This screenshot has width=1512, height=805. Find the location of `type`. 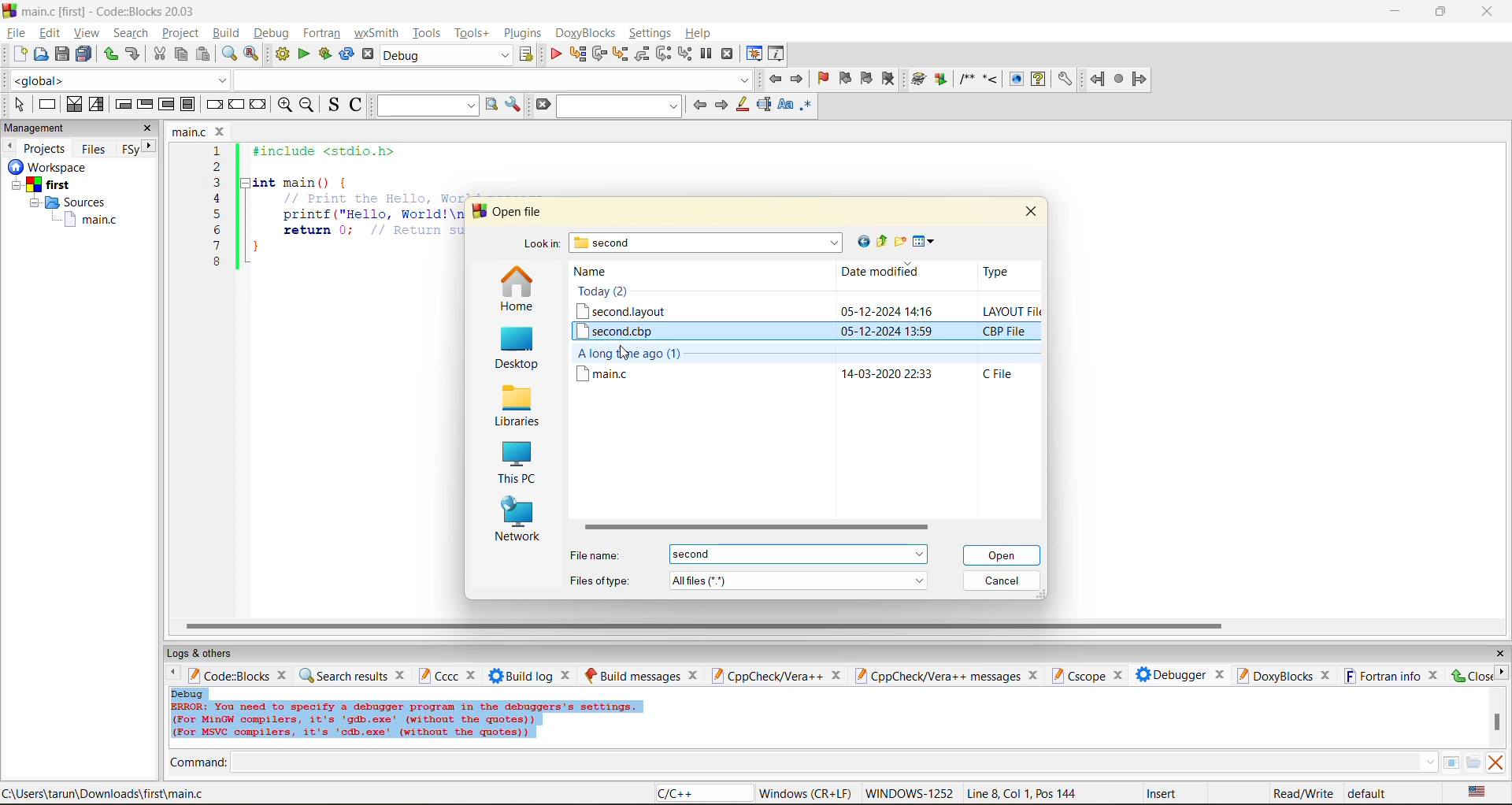

type is located at coordinates (994, 271).